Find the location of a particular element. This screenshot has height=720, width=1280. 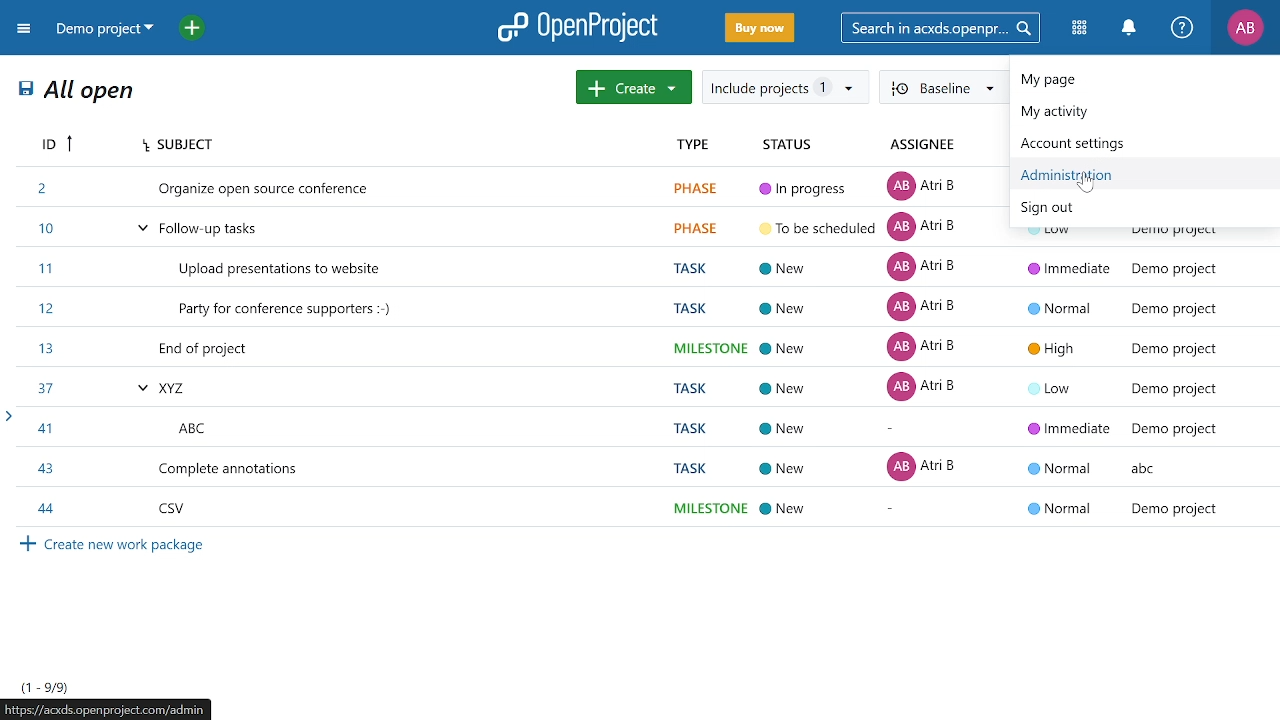

task titled "ABC" is located at coordinates (642, 426).